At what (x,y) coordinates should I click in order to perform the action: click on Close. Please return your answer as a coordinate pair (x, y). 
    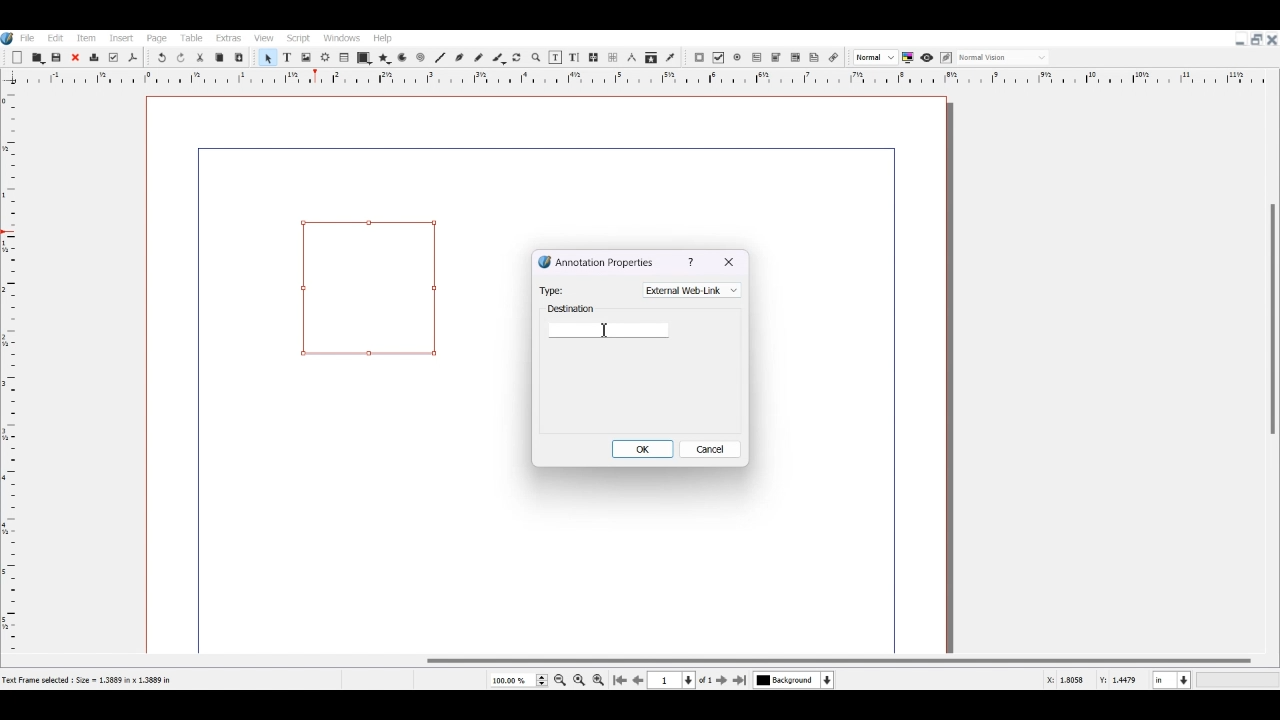
    Looking at the image, I should click on (1272, 39).